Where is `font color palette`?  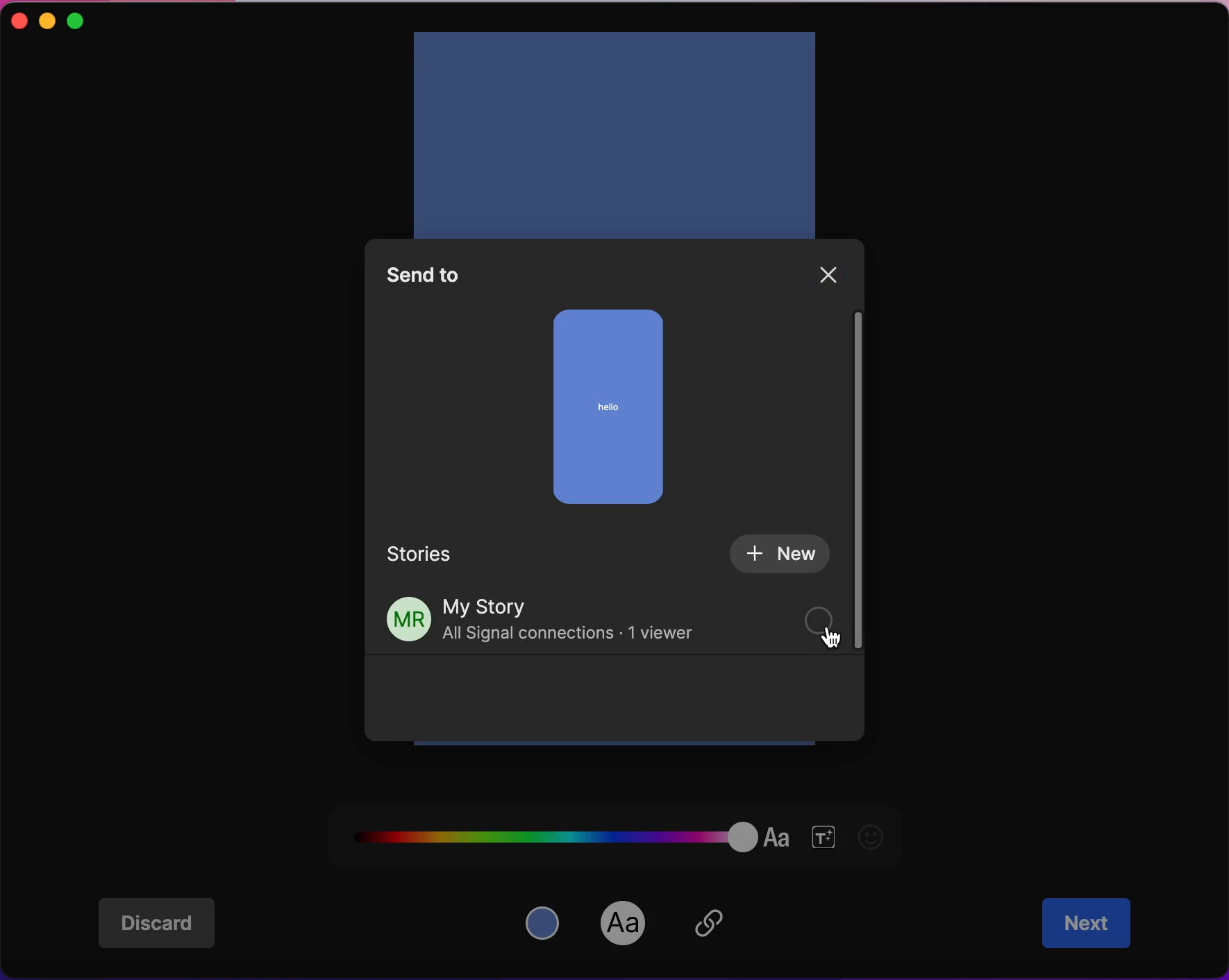 font color palette is located at coordinates (565, 828).